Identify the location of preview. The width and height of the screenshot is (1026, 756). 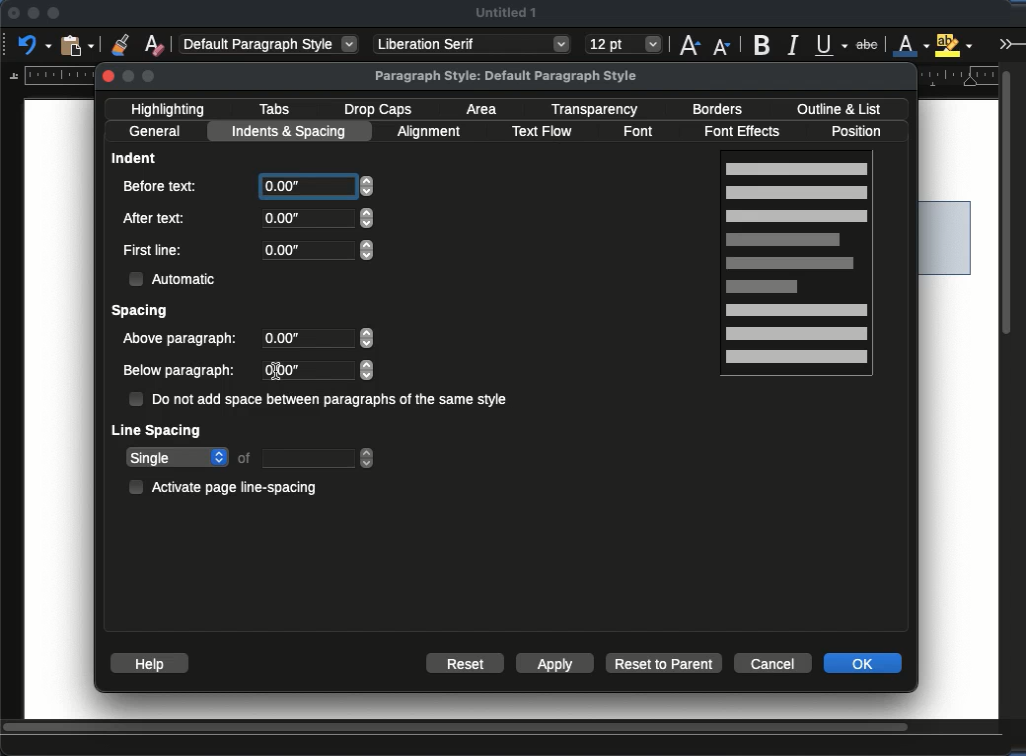
(796, 266).